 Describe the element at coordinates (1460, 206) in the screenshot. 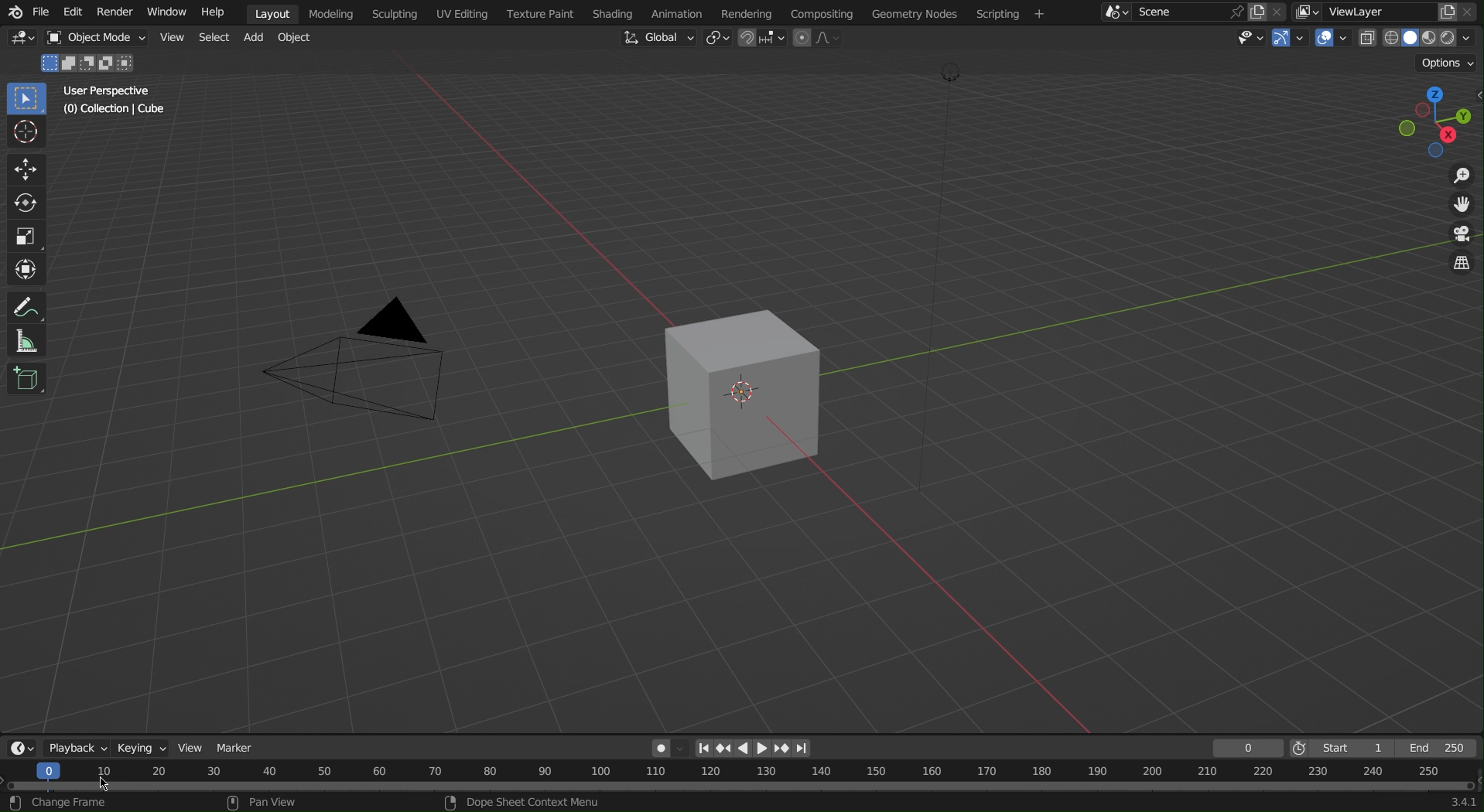

I see `Move View` at that location.